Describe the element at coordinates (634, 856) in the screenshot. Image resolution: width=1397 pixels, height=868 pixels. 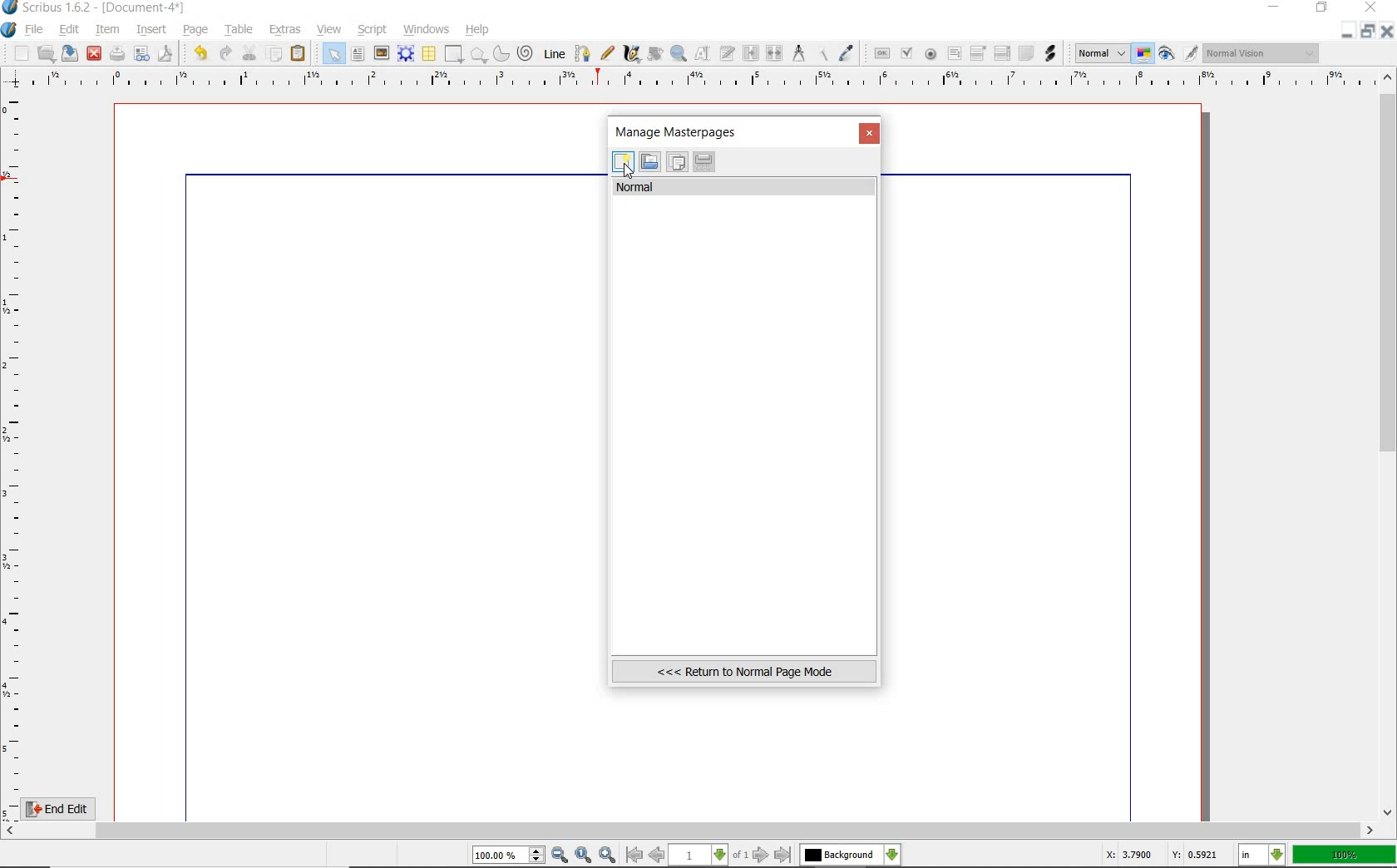
I see `go to first page` at that location.